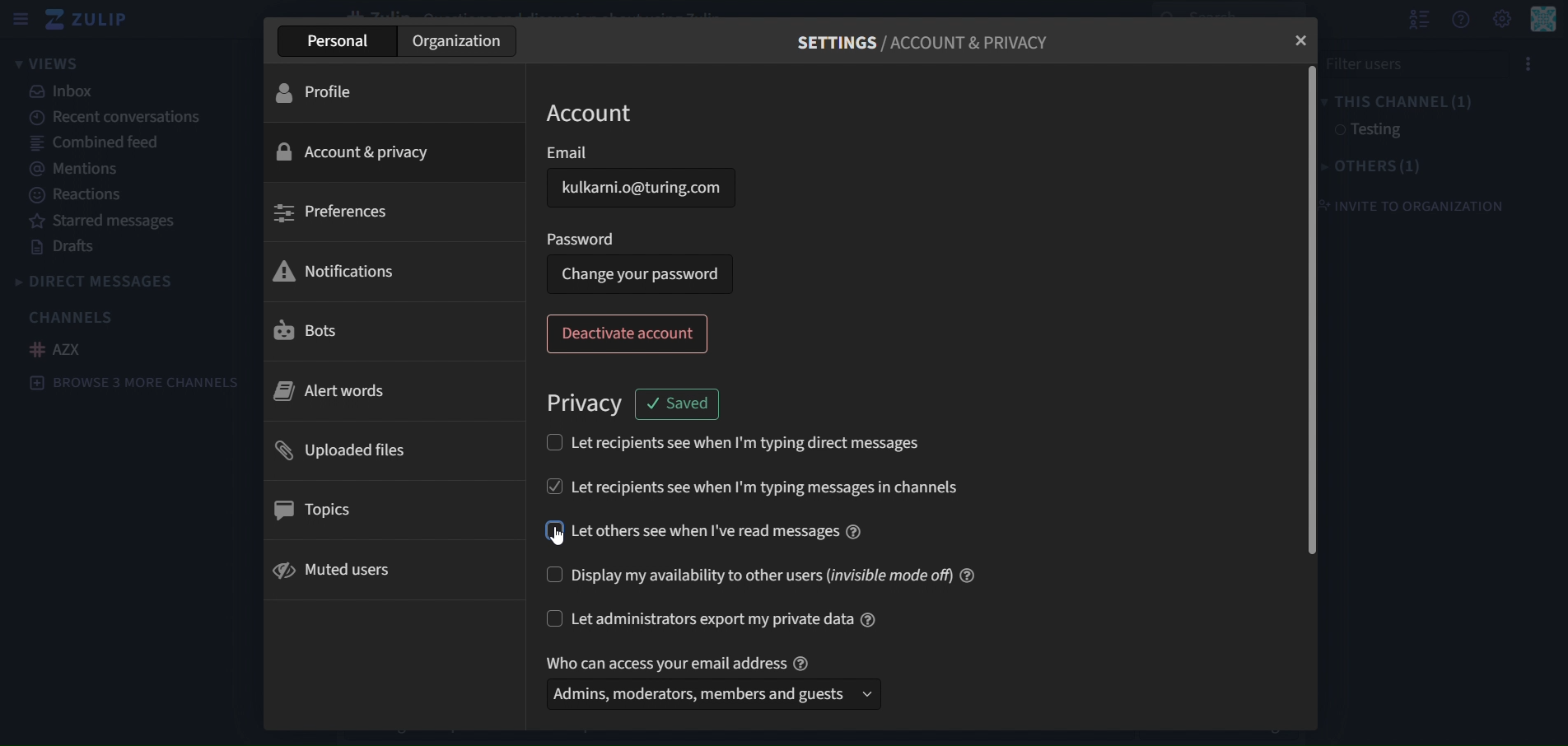  What do you see at coordinates (798, 483) in the screenshot?
I see `let recipients see when I'm typing messages in channels` at bounding box center [798, 483].